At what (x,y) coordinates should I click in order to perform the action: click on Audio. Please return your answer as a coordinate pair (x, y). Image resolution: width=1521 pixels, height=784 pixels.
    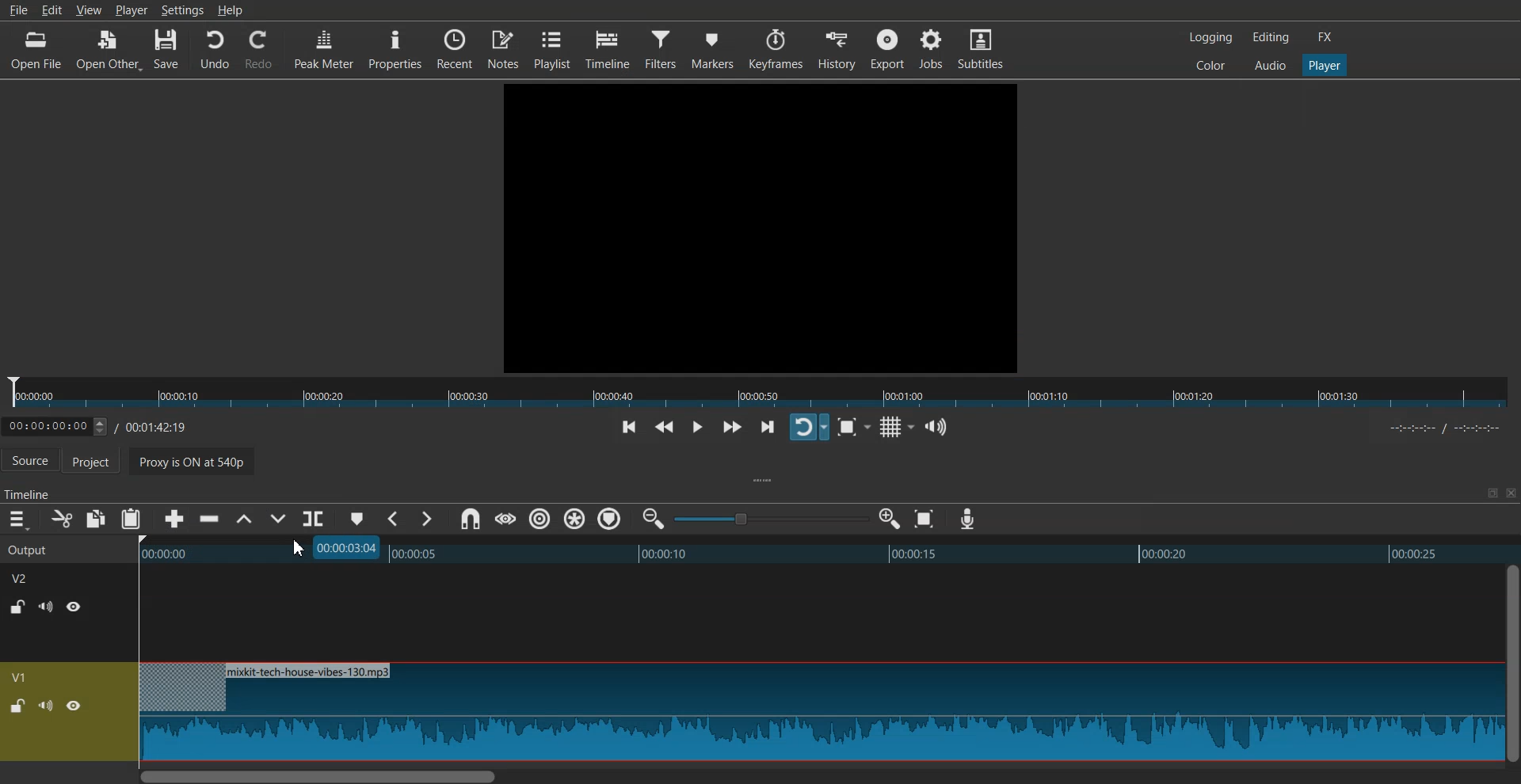
    Looking at the image, I should click on (1270, 64).